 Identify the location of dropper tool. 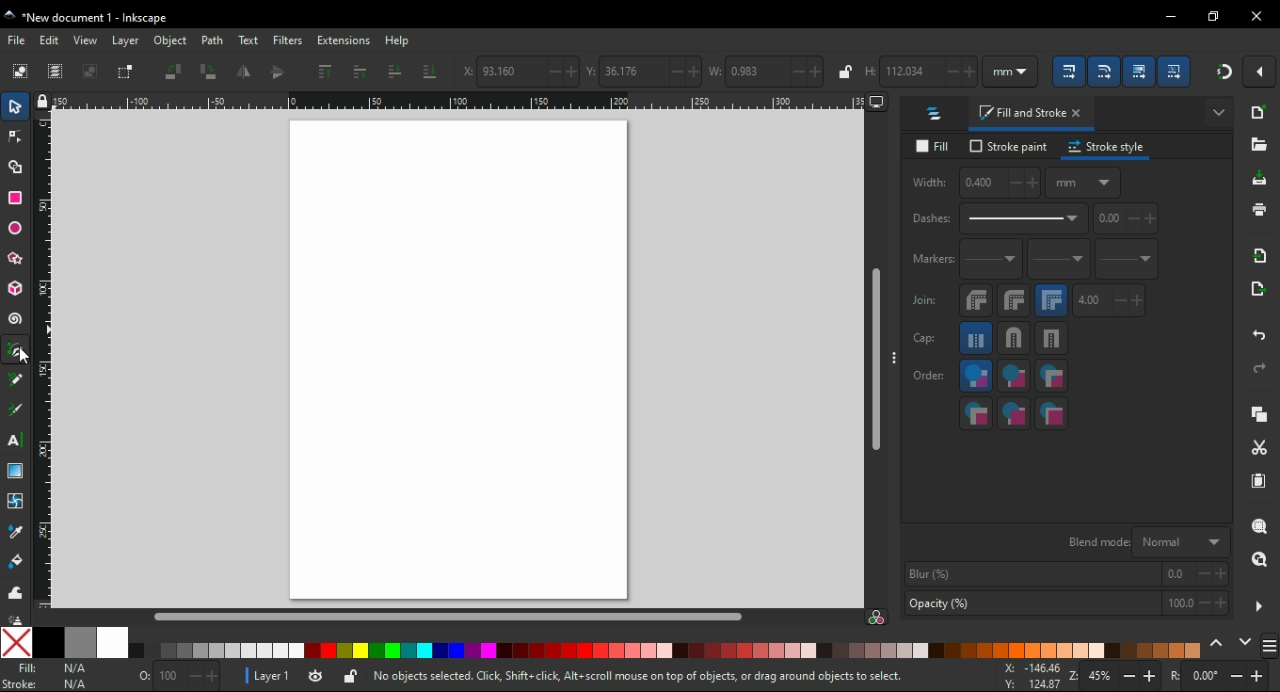
(17, 532).